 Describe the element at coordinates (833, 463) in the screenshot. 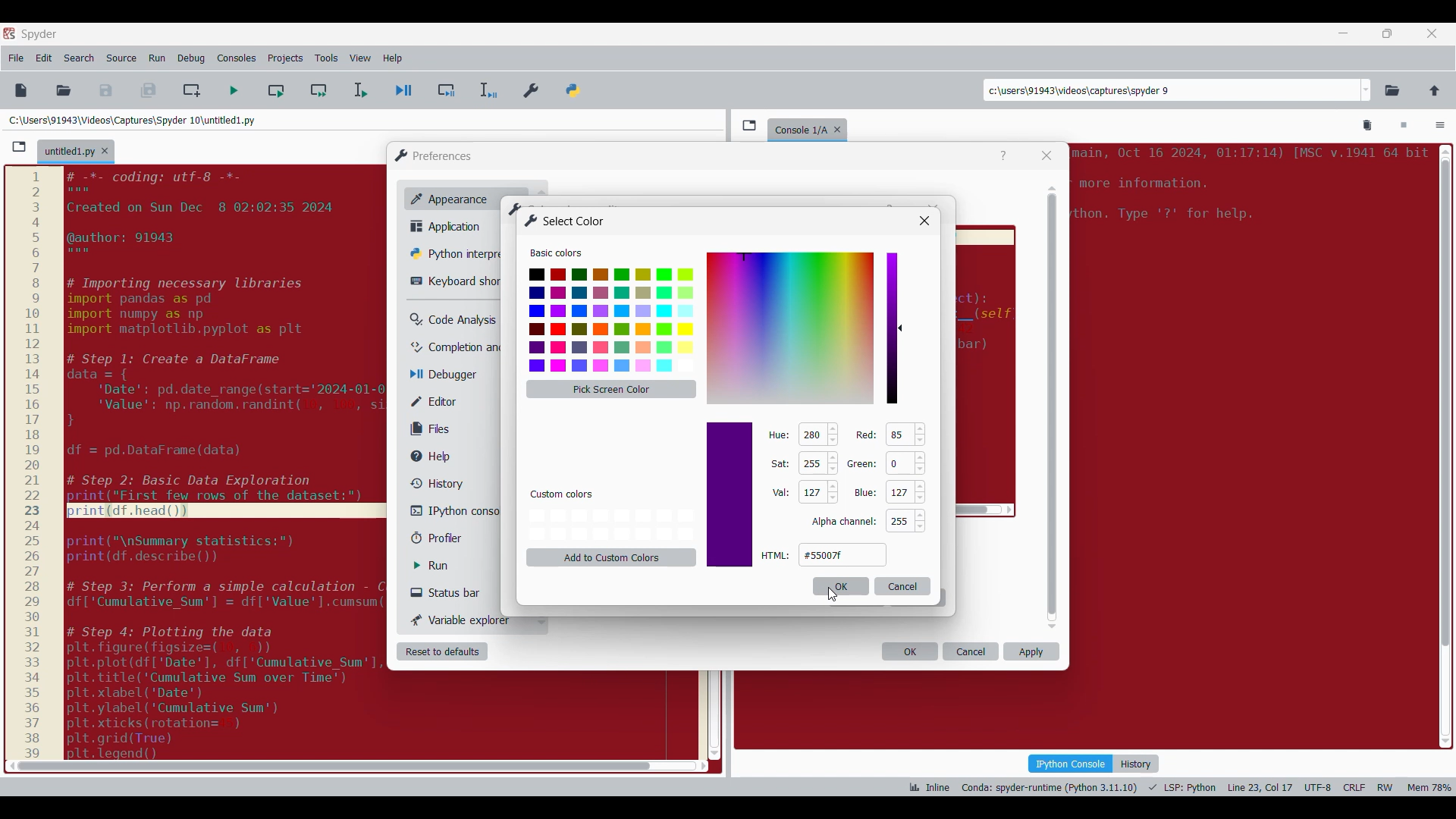

I see `Increase/Decrease number` at that location.